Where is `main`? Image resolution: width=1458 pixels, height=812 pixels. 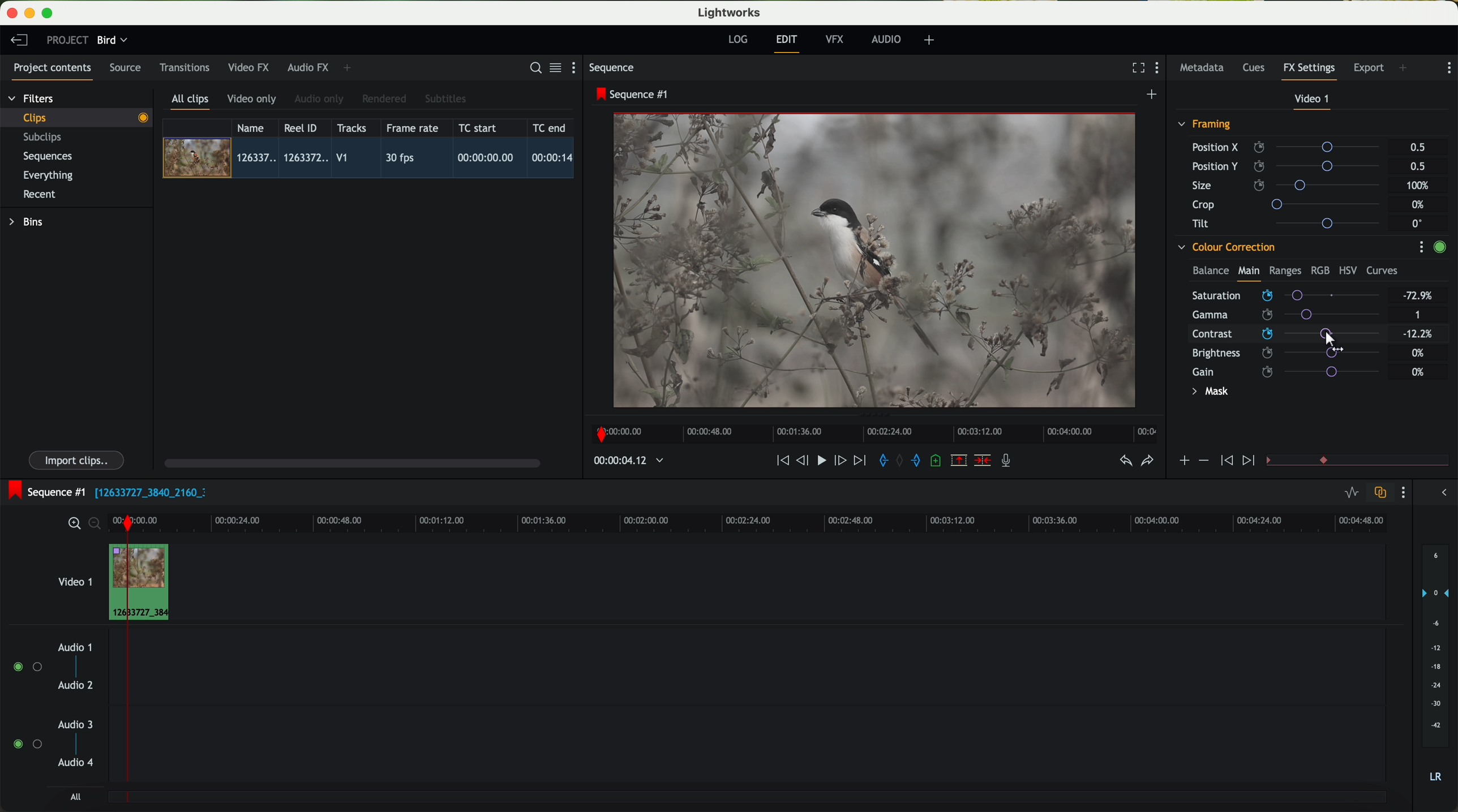
main is located at coordinates (1249, 273).